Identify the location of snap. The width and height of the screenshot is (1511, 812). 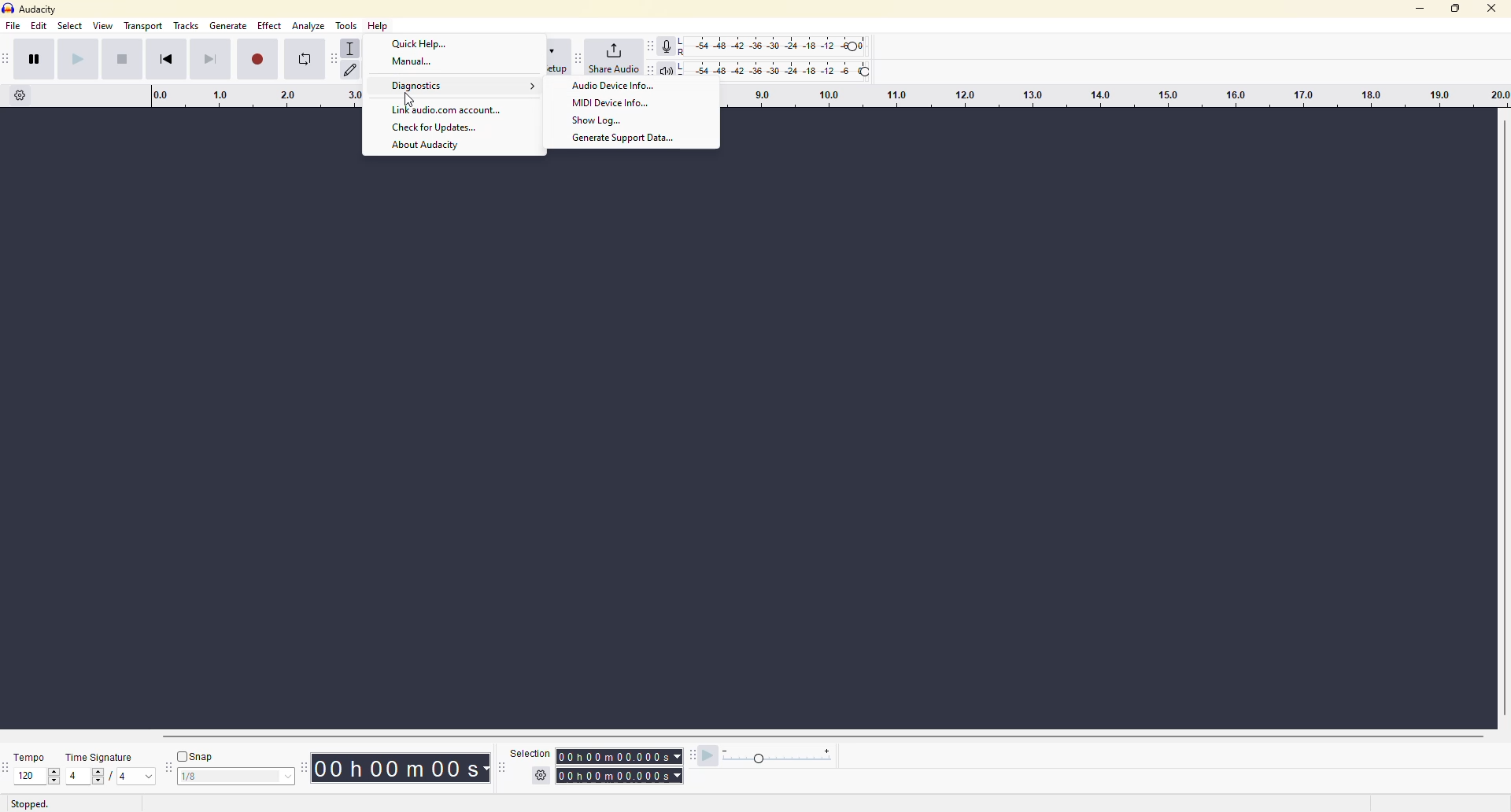
(198, 755).